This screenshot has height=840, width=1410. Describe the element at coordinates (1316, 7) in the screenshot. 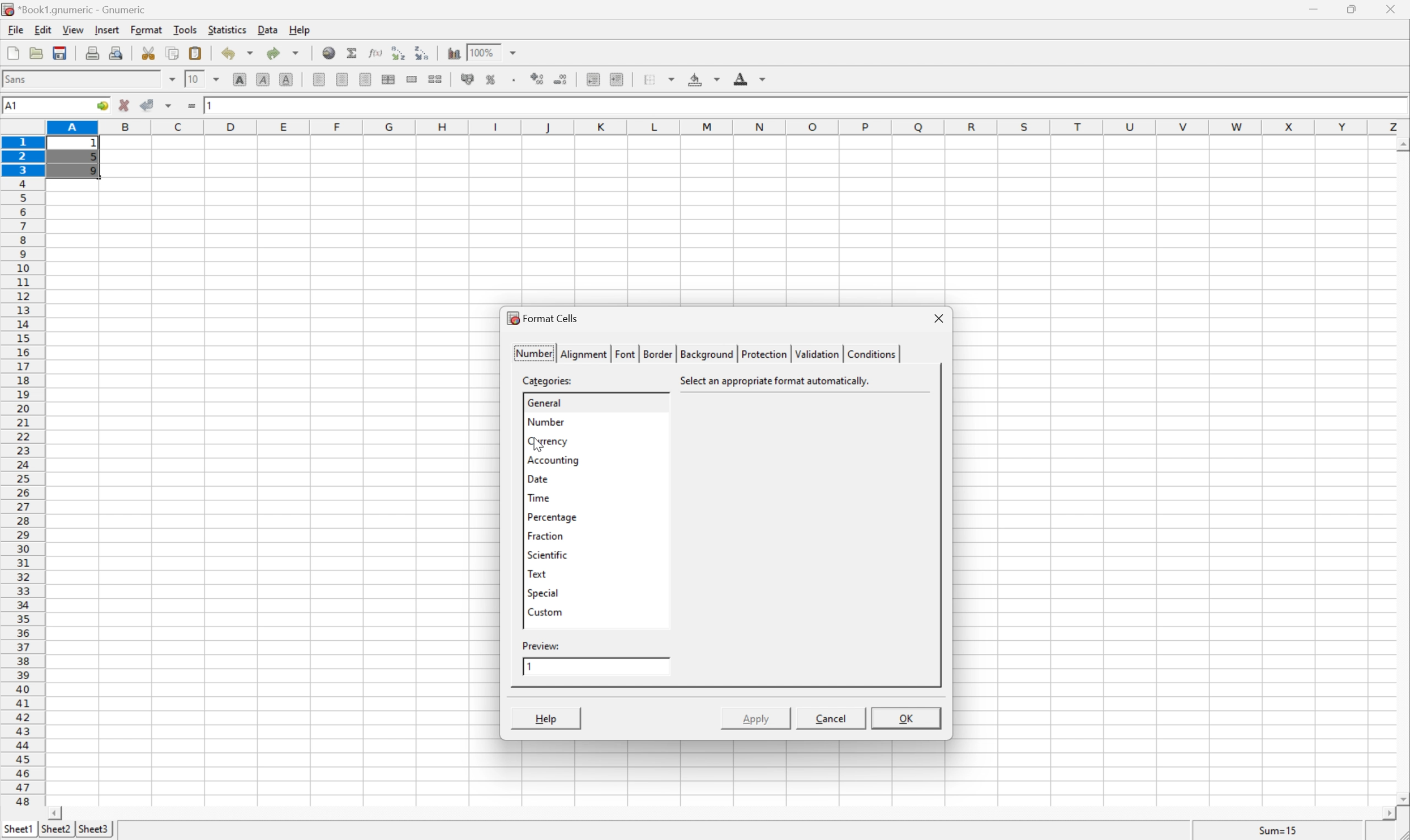

I see `minimize` at that location.